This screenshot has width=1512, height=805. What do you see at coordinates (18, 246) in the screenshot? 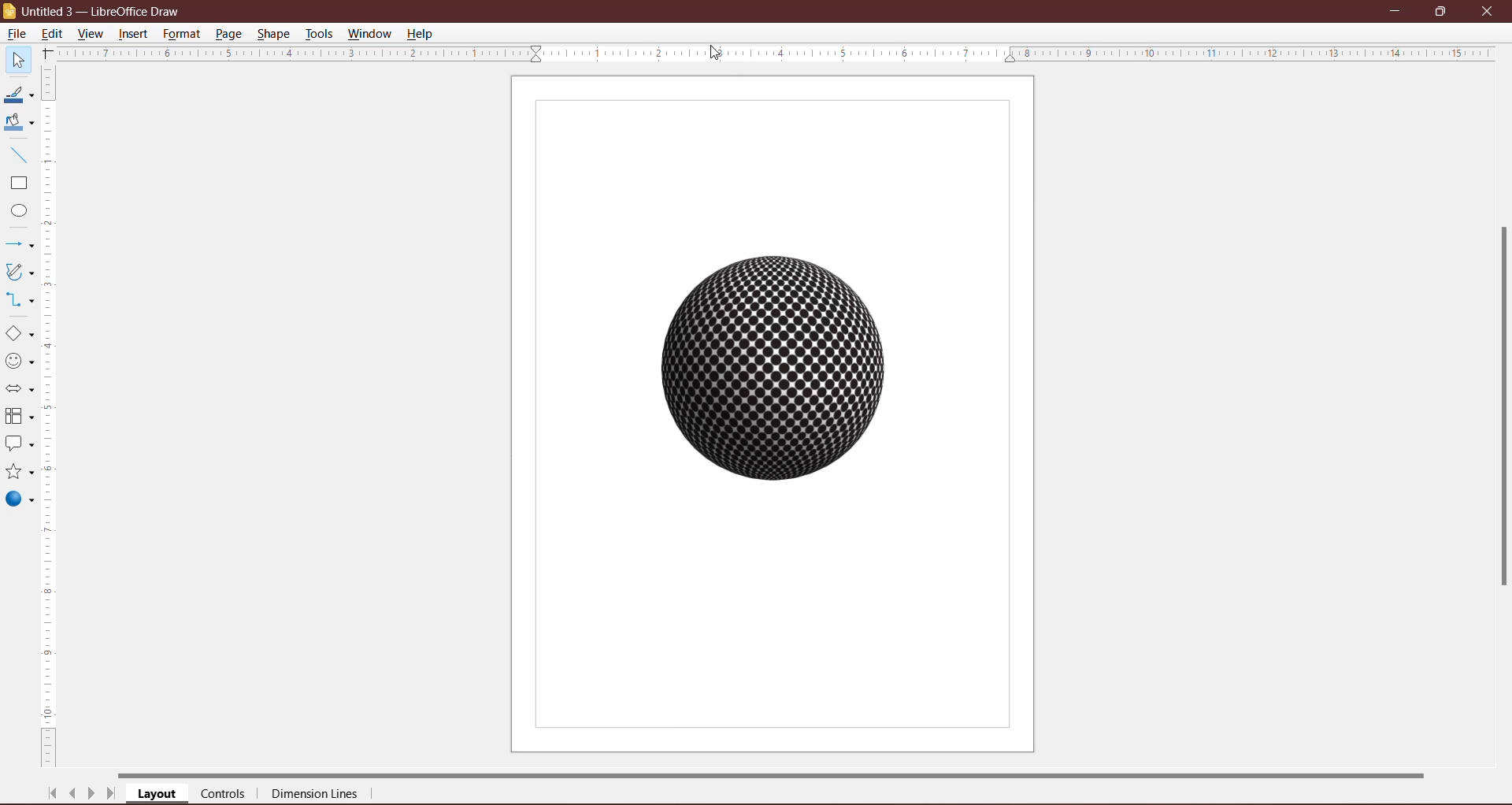
I see `Lines and Arrows` at bounding box center [18, 246].